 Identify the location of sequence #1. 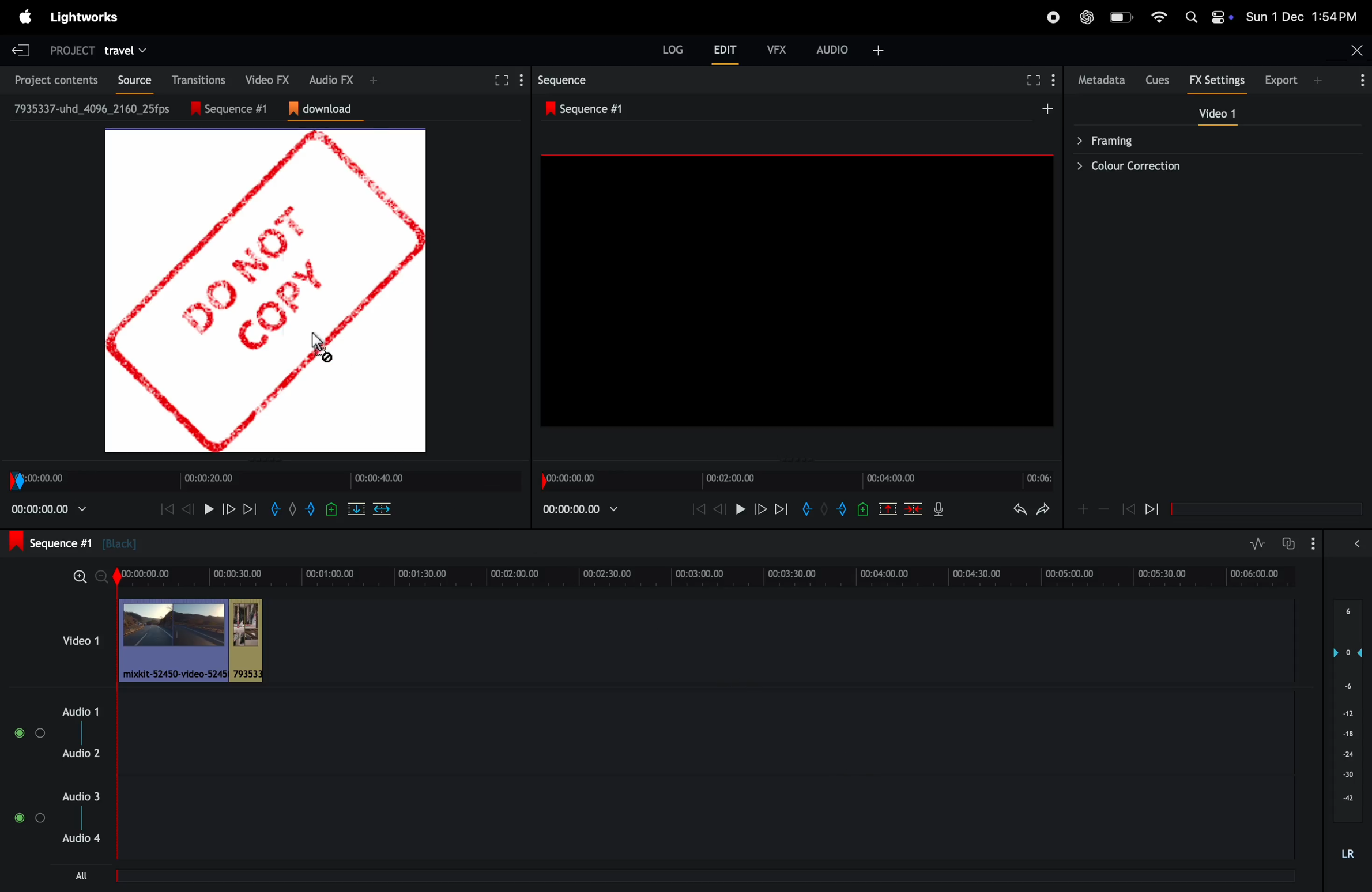
(73, 542).